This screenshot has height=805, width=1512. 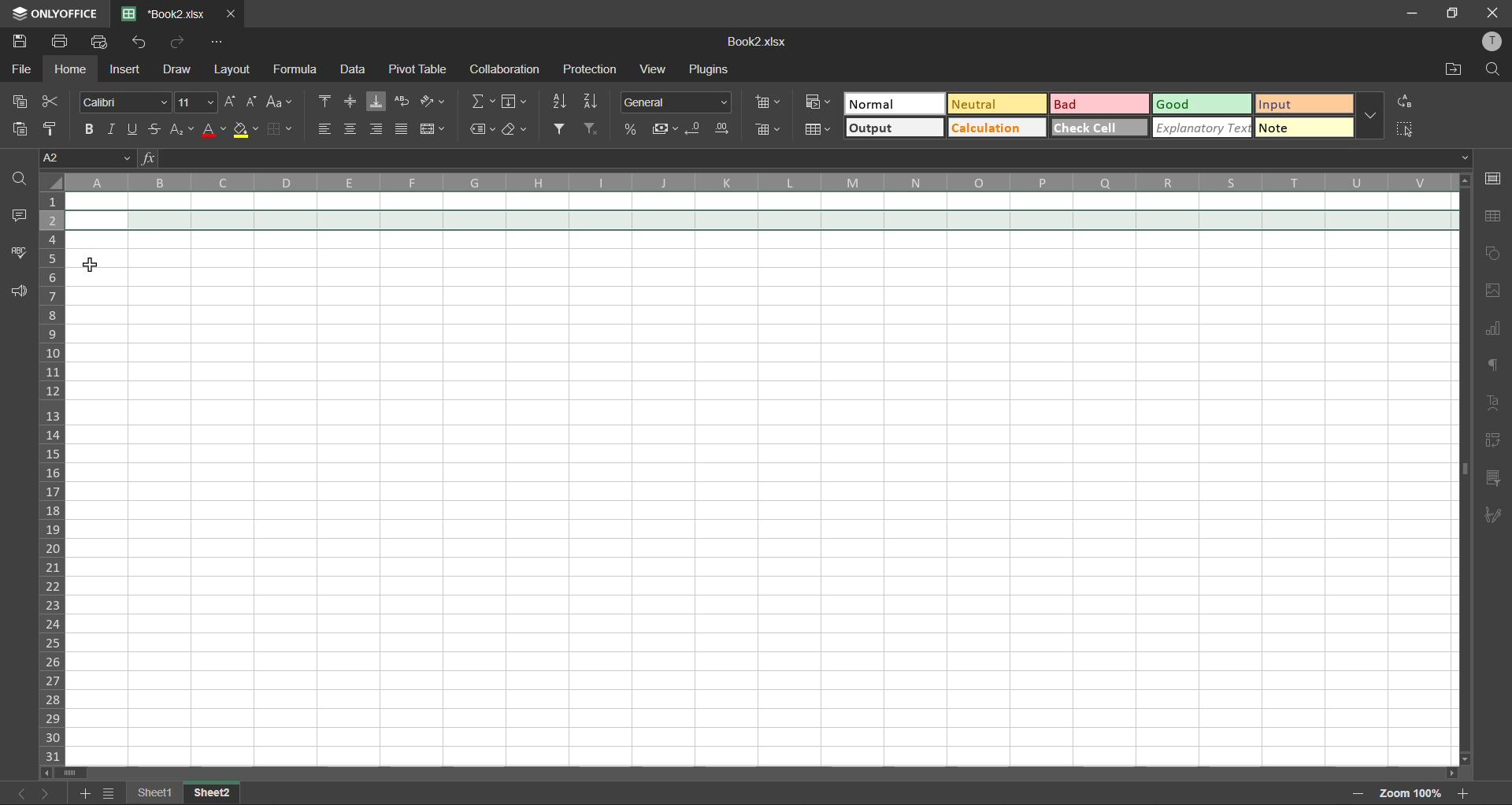 What do you see at coordinates (94, 265) in the screenshot?
I see `cursor` at bounding box center [94, 265].